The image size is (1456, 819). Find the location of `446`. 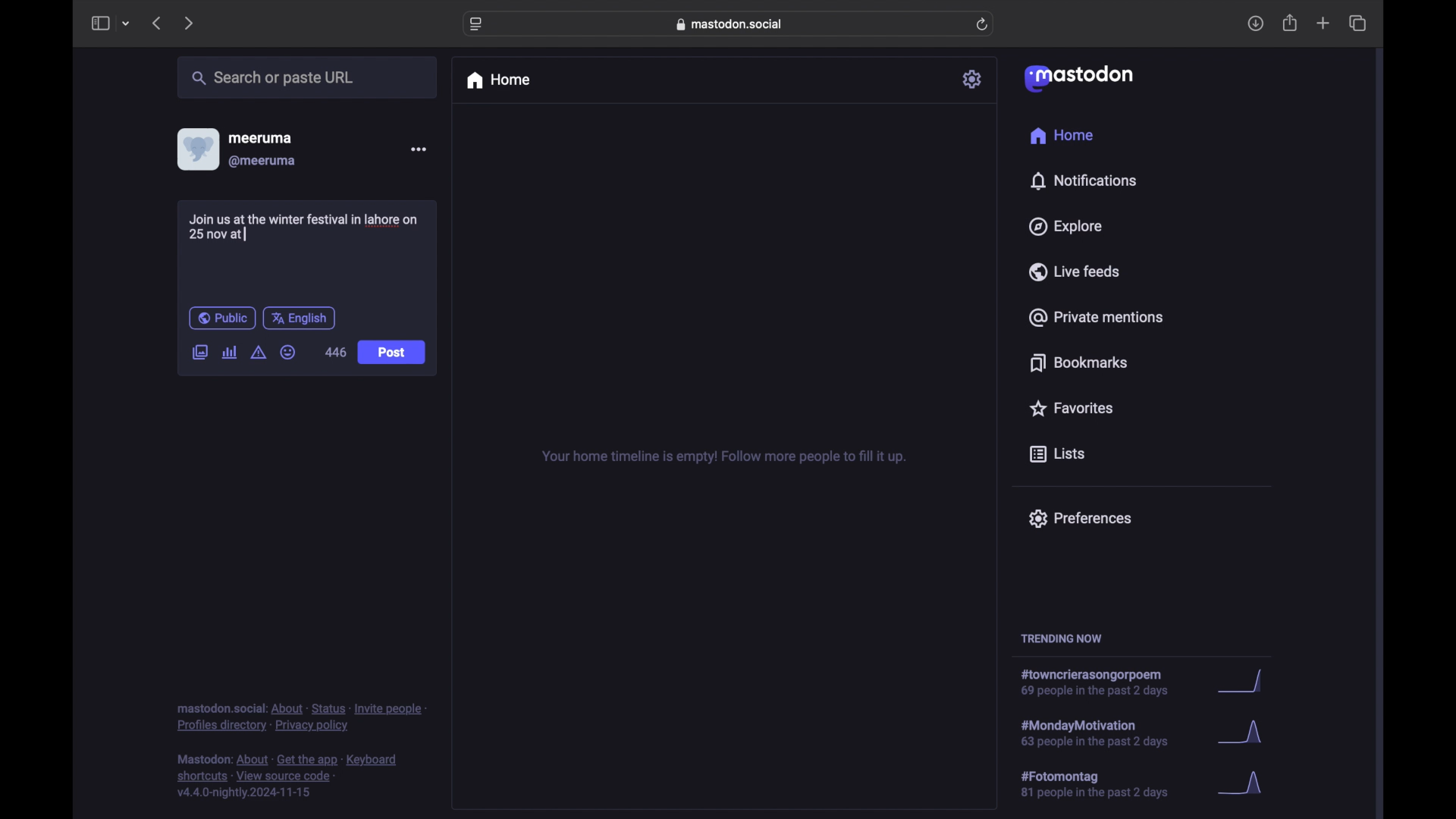

446 is located at coordinates (335, 352).